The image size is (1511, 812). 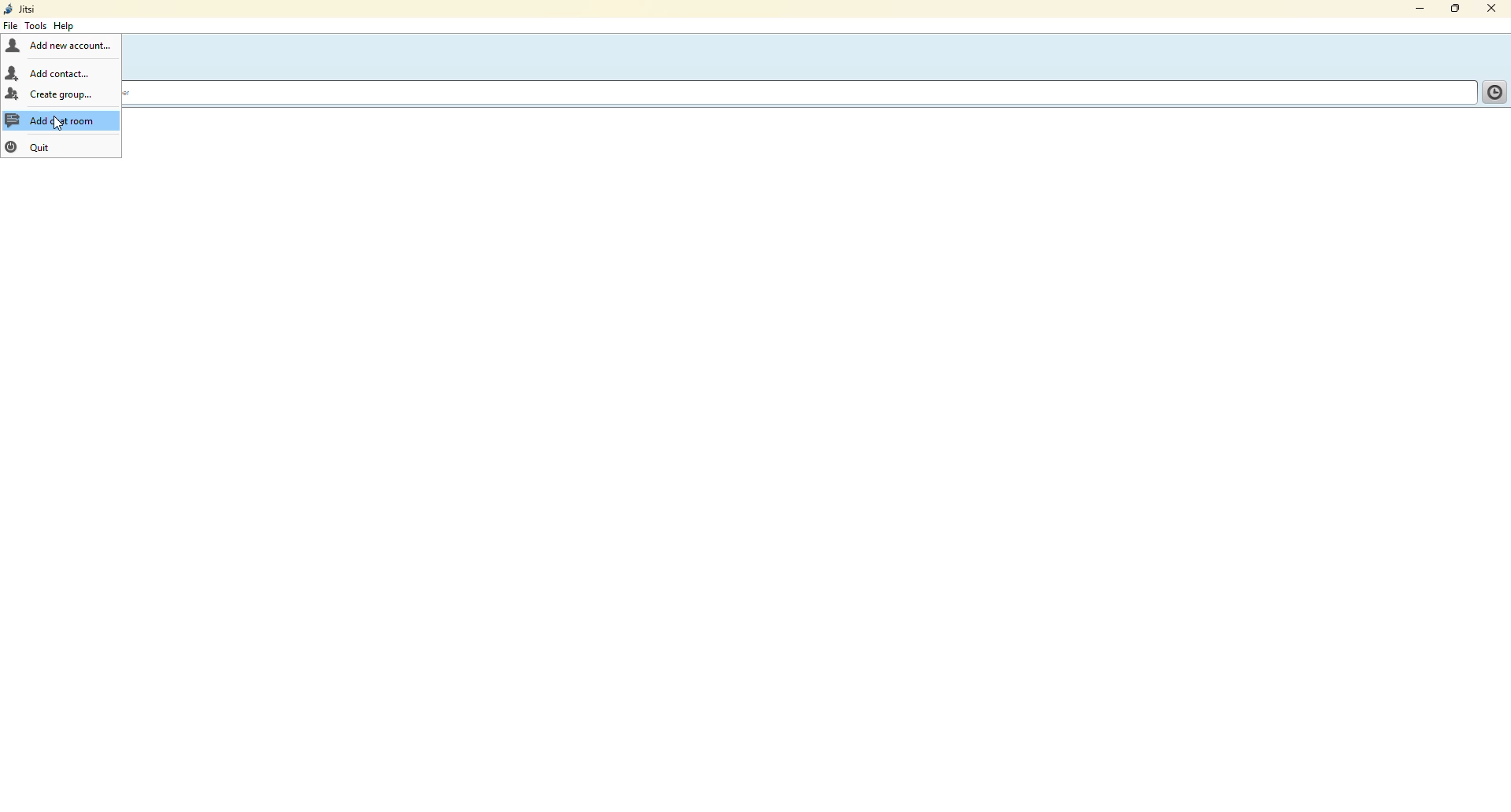 What do you see at coordinates (11, 93) in the screenshot?
I see `create group icon` at bounding box center [11, 93].